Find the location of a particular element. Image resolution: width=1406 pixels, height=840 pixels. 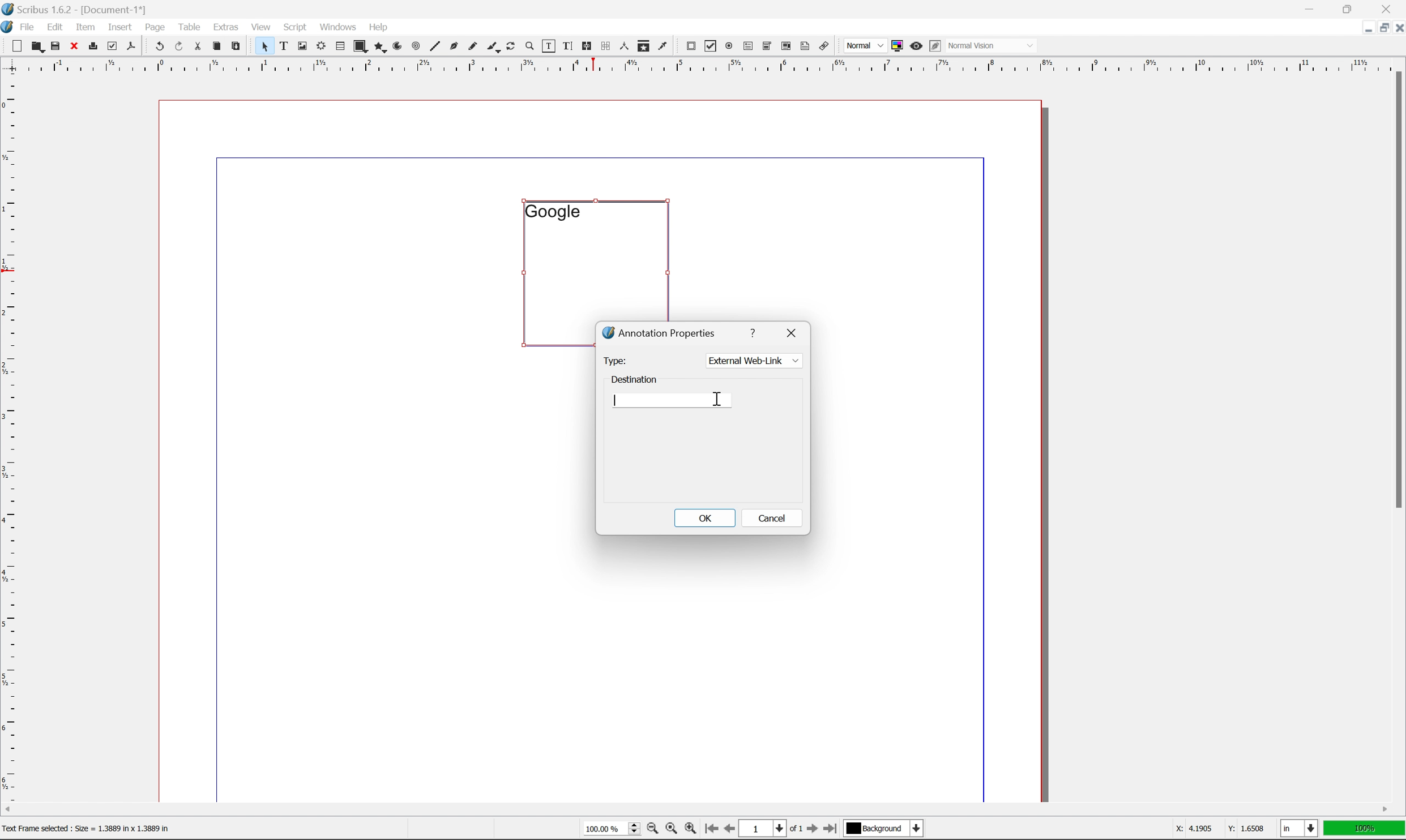

copy is located at coordinates (219, 47).